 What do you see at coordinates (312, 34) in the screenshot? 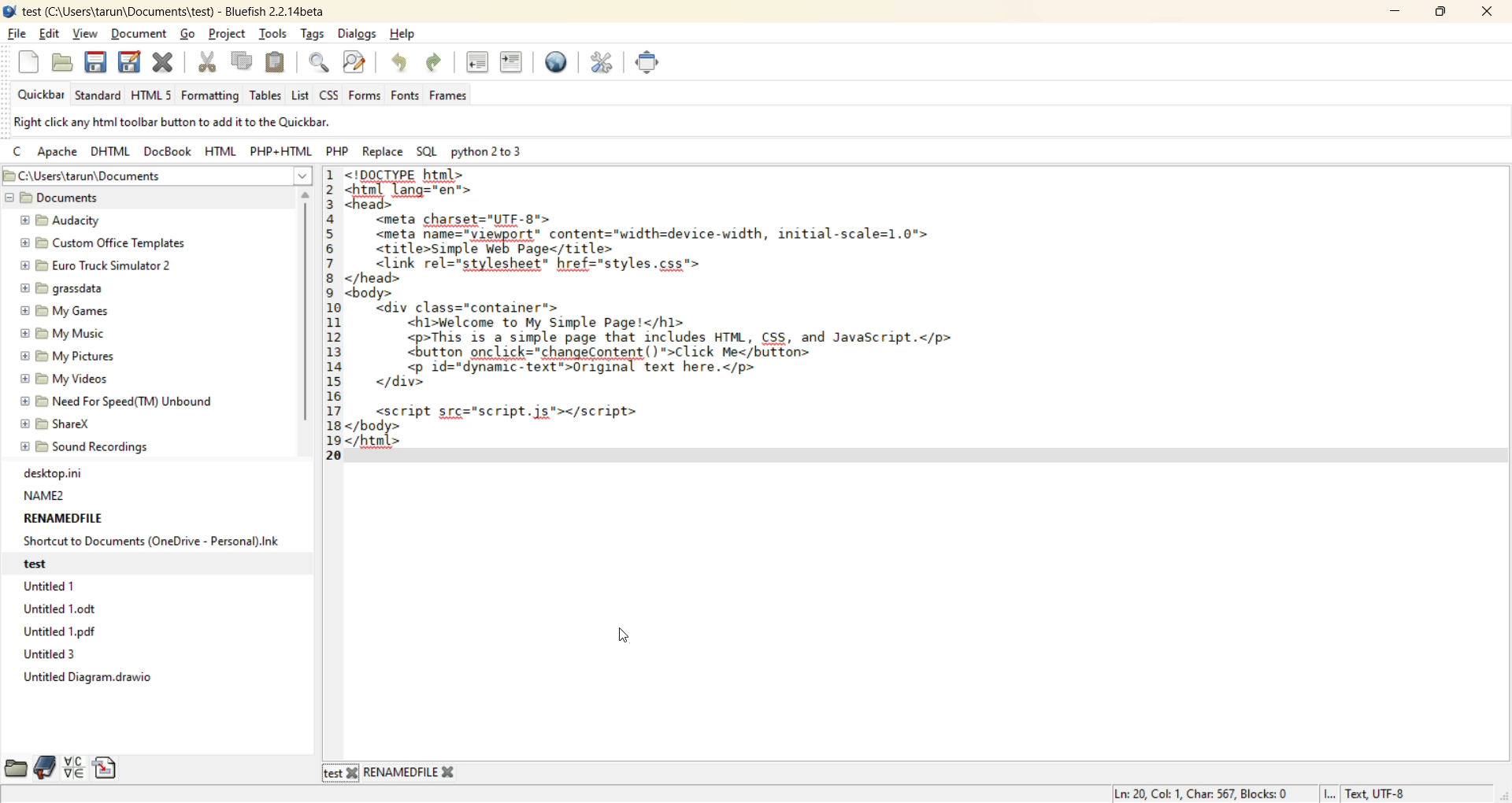
I see `tags` at bounding box center [312, 34].